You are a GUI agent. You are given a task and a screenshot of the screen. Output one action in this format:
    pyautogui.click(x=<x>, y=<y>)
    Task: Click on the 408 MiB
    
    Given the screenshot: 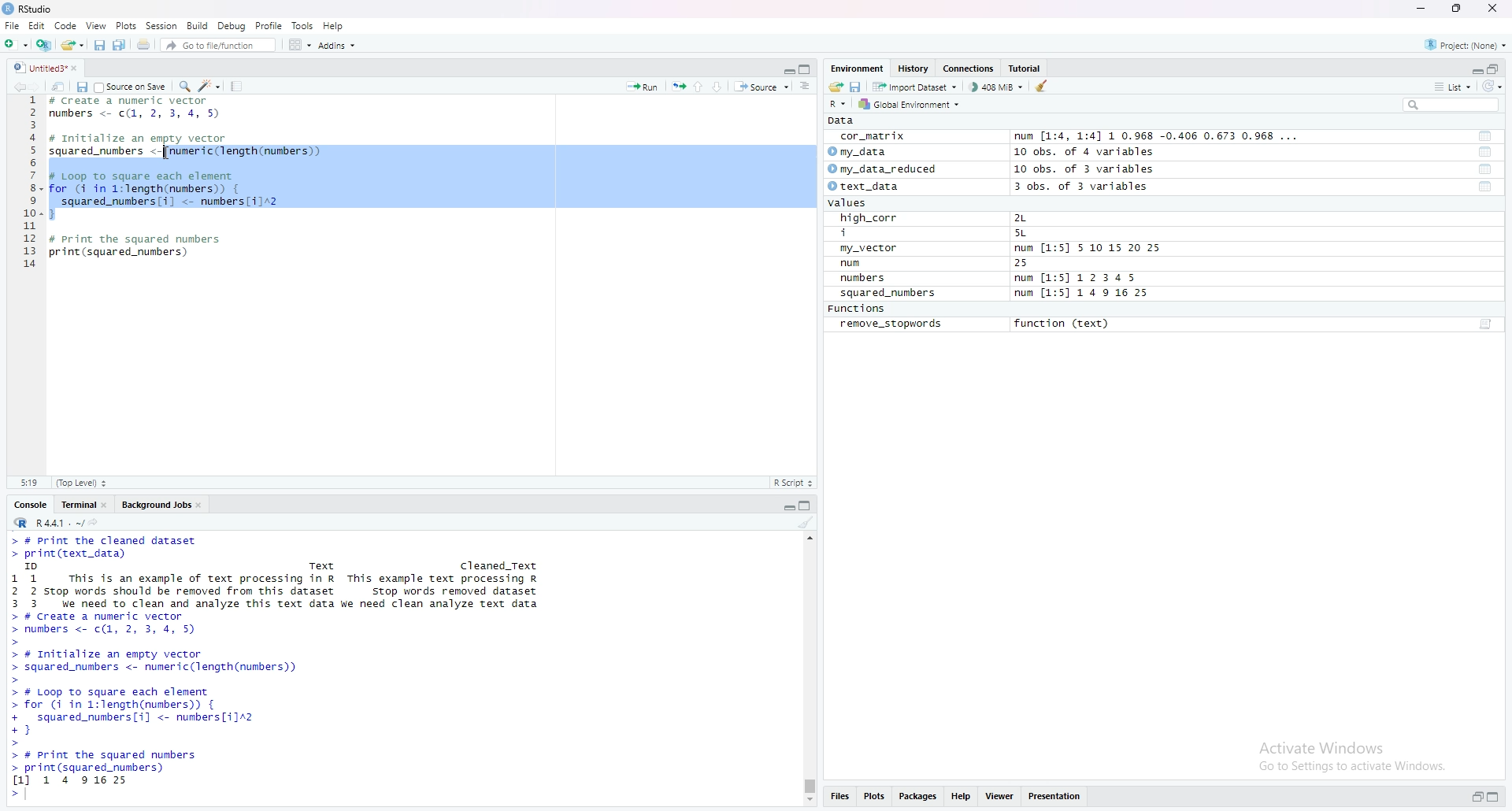 What is the action you would take?
    pyautogui.click(x=995, y=87)
    